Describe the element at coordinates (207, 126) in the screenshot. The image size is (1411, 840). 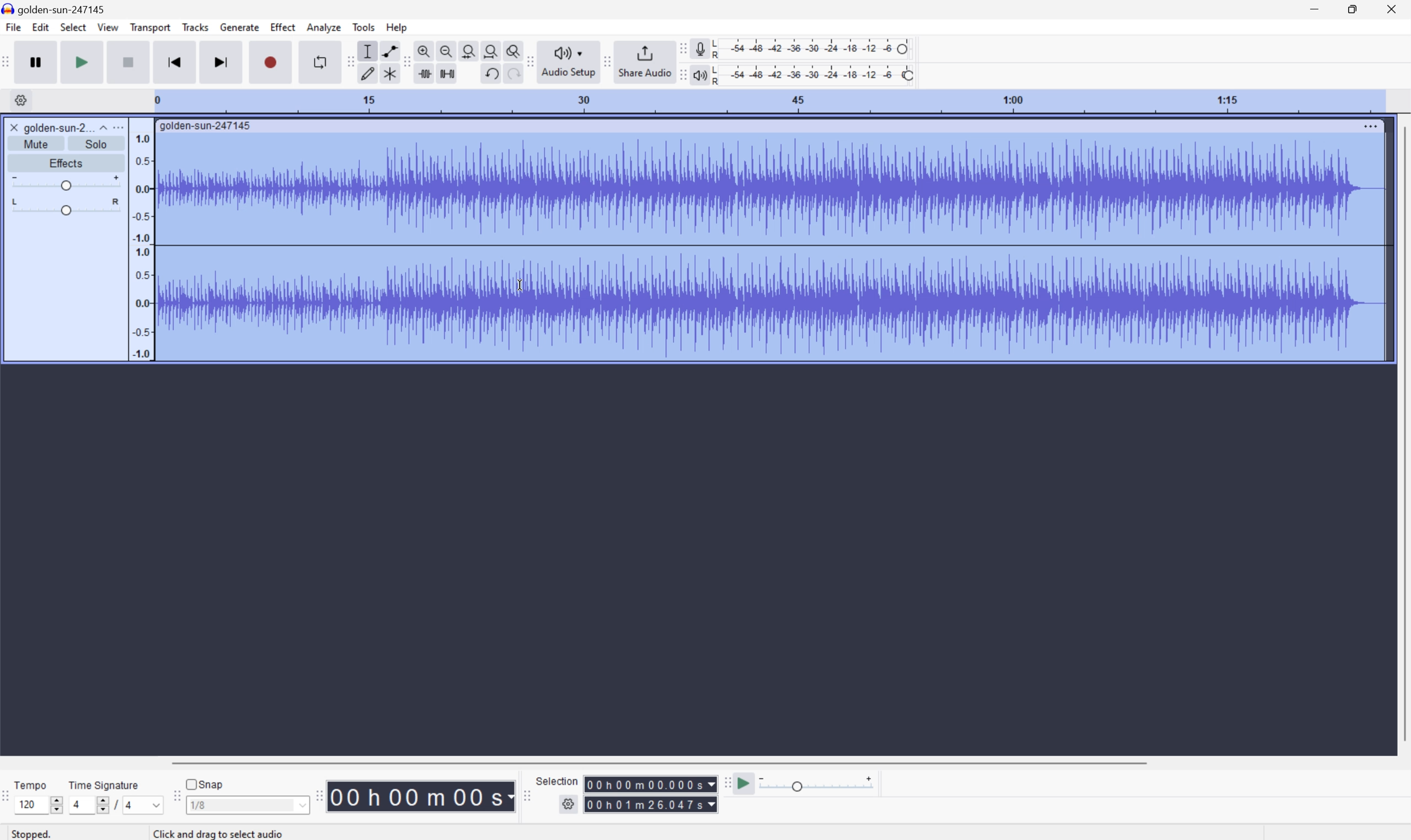
I see `golden-sun-247145` at that location.